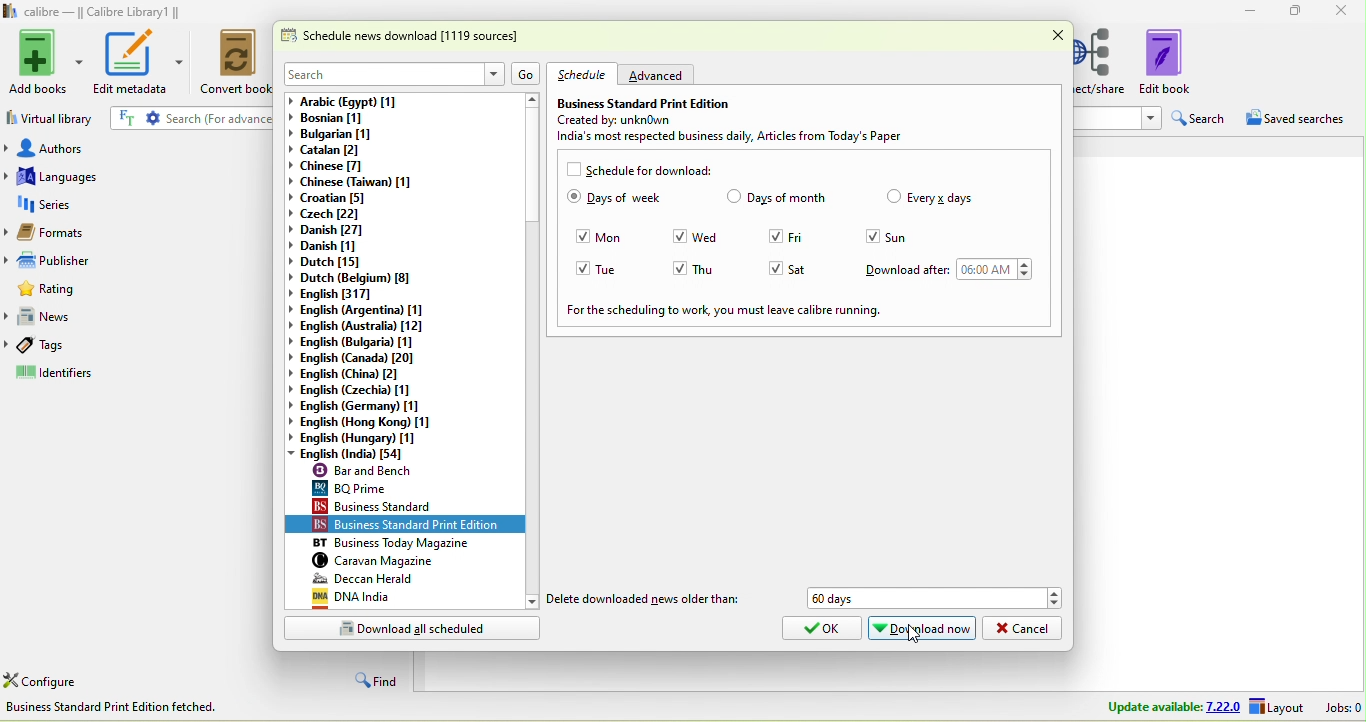 The height and width of the screenshot is (722, 1366). What do you see at coordinates (138, 376) in the screenshot?
I see `identifiers` at bounding box center [138, 376].